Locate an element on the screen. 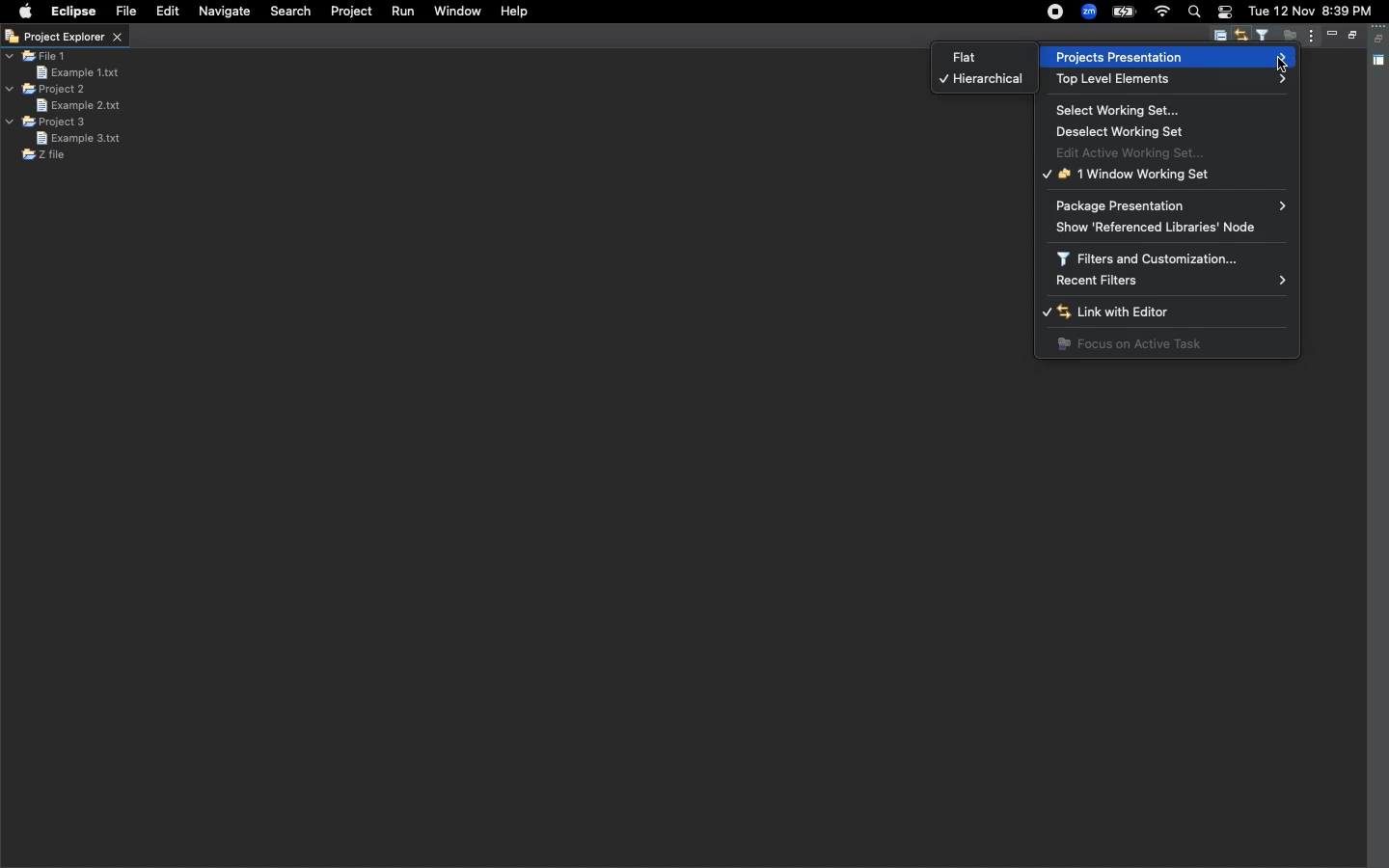 Image resolution: width=1389 pixels, height=868 pixels. Hierarchical is located at coordinates (981, 81).